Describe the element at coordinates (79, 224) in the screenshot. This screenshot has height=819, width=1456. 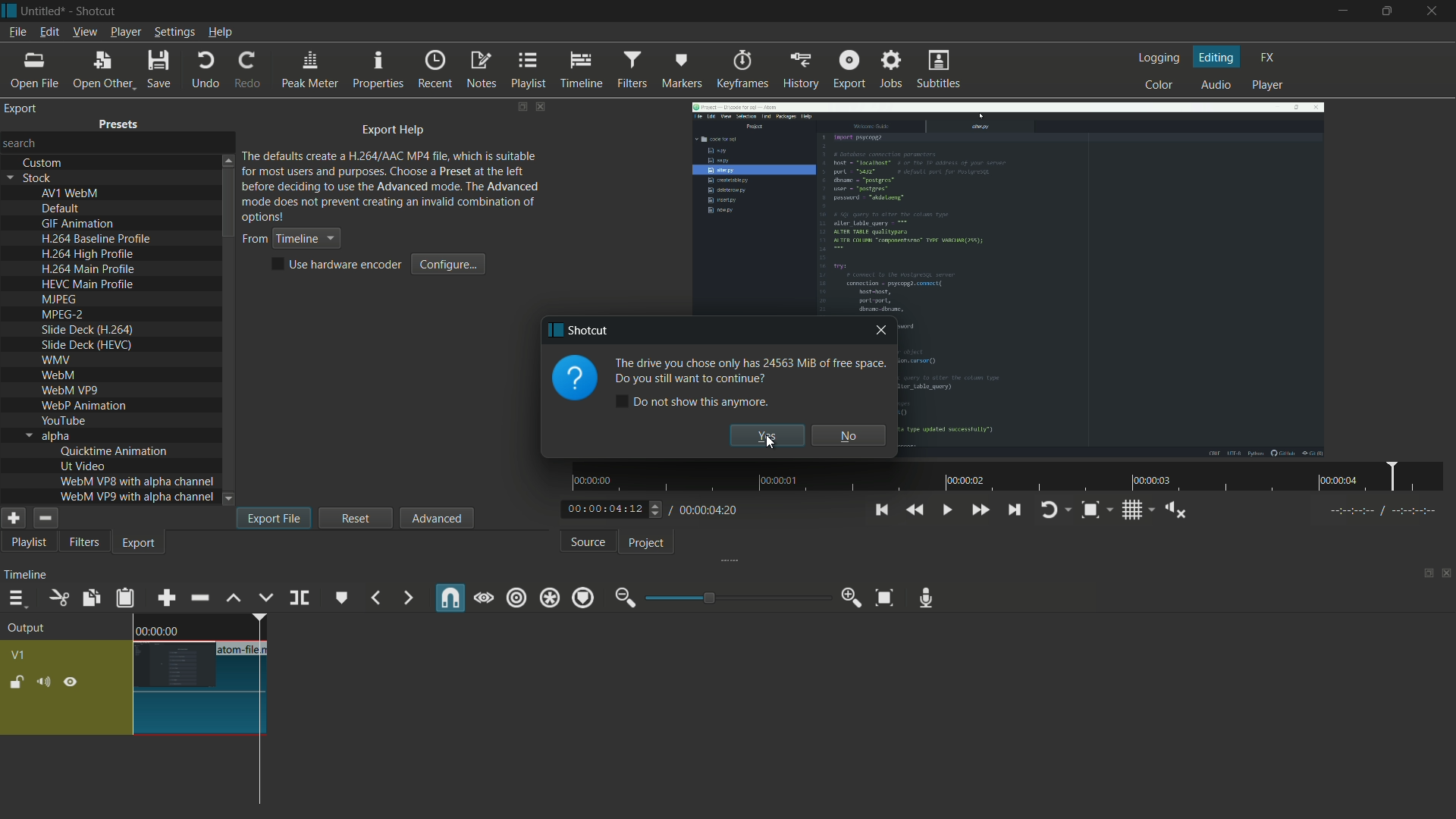
I see `gif animation` at that location.